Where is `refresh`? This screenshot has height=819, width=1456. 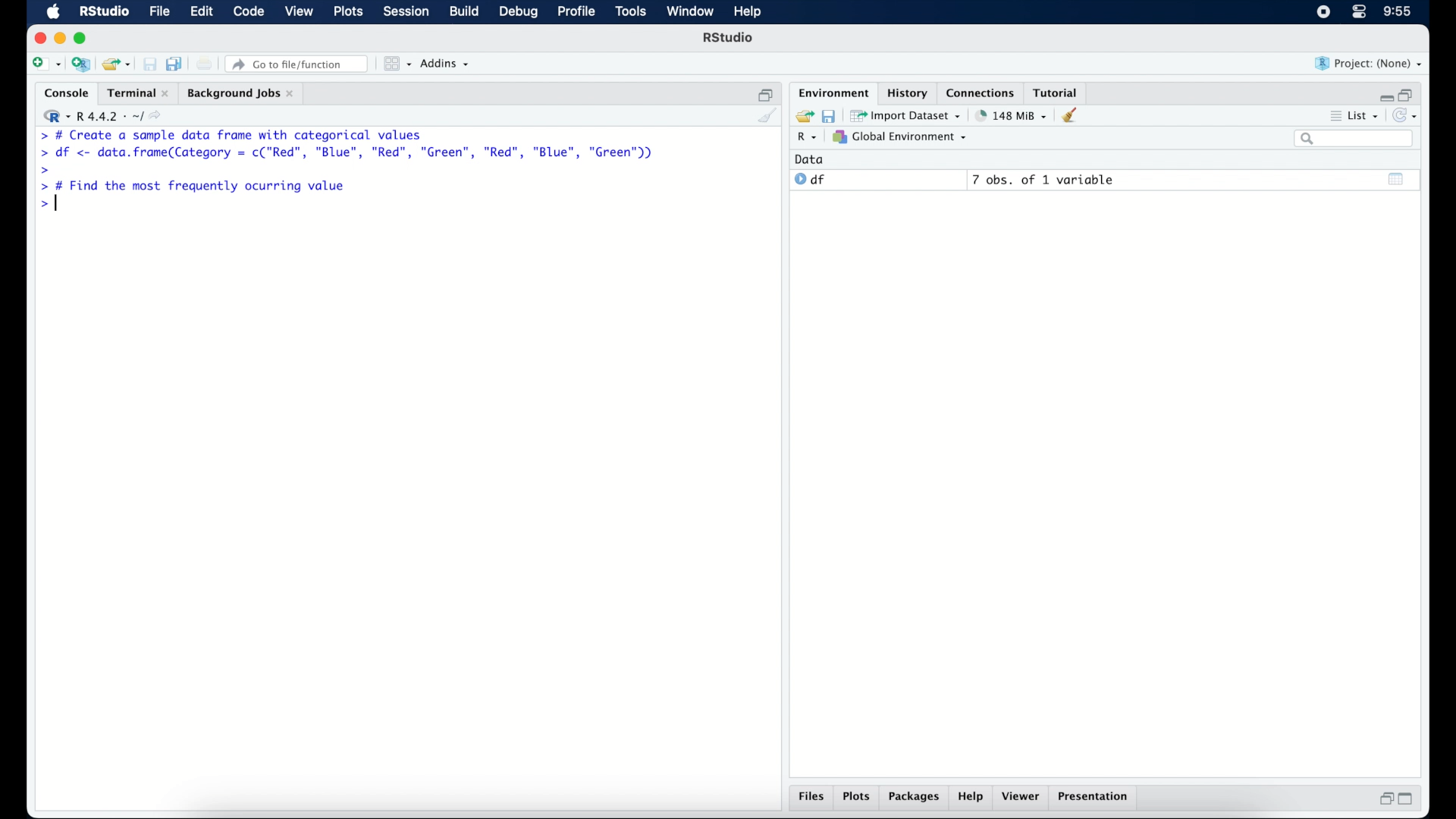 refresh is located at coordinates (1407, 115).